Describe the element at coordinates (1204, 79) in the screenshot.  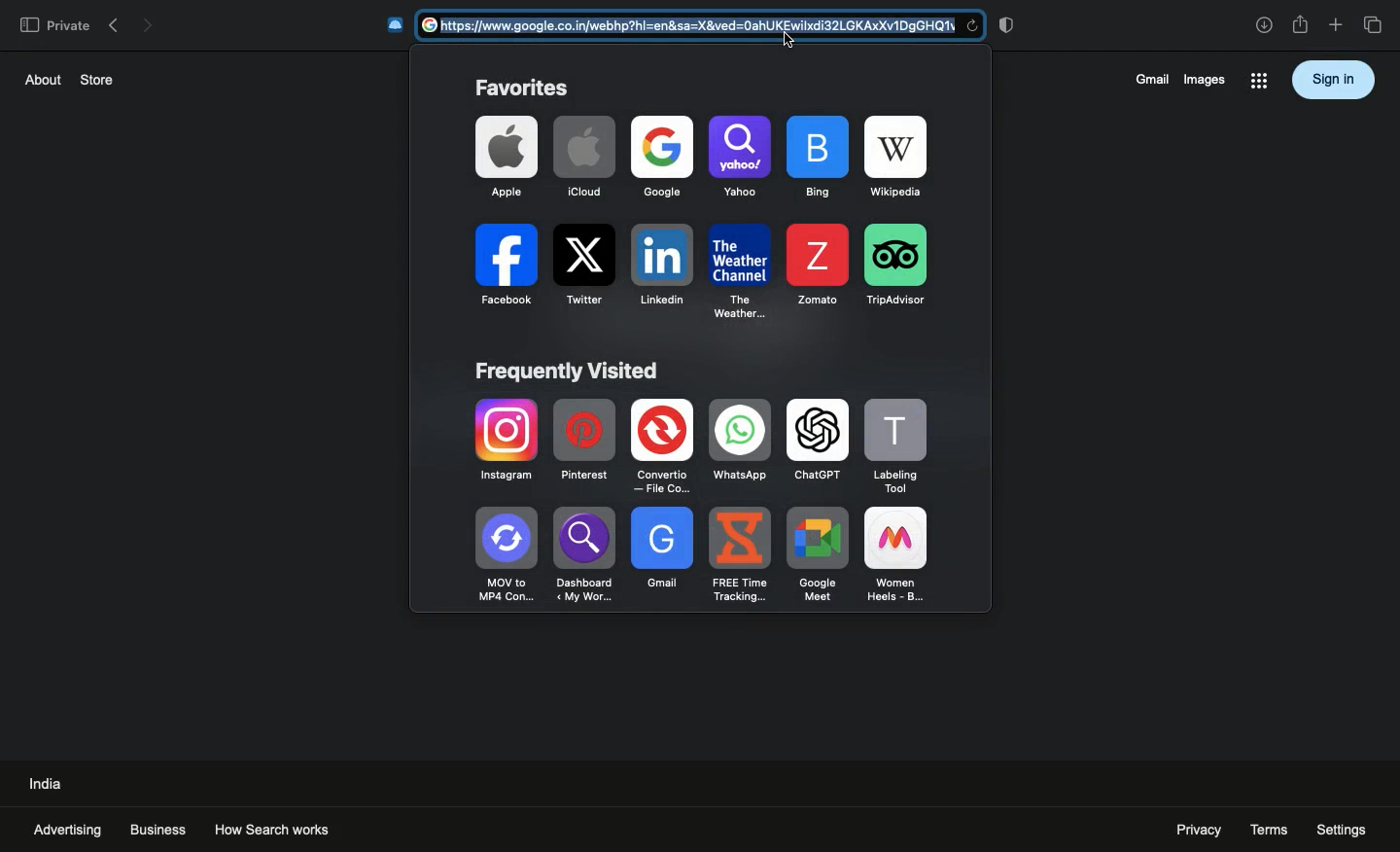
I see `images` at that location.